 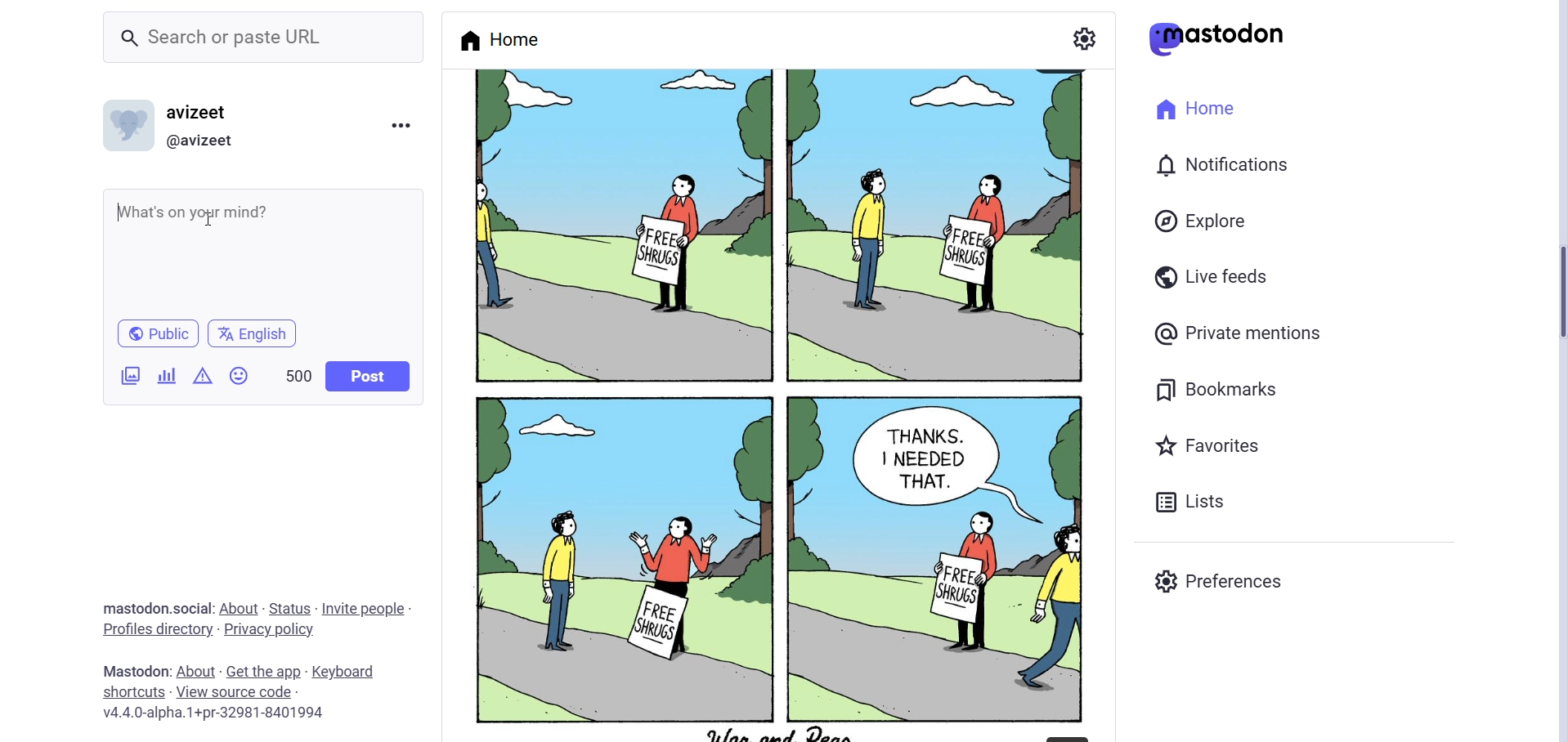 What do you see at coordinates (1225, 165) in the screenshot?
I see `Notifications` at bounding box center [1225, 165].